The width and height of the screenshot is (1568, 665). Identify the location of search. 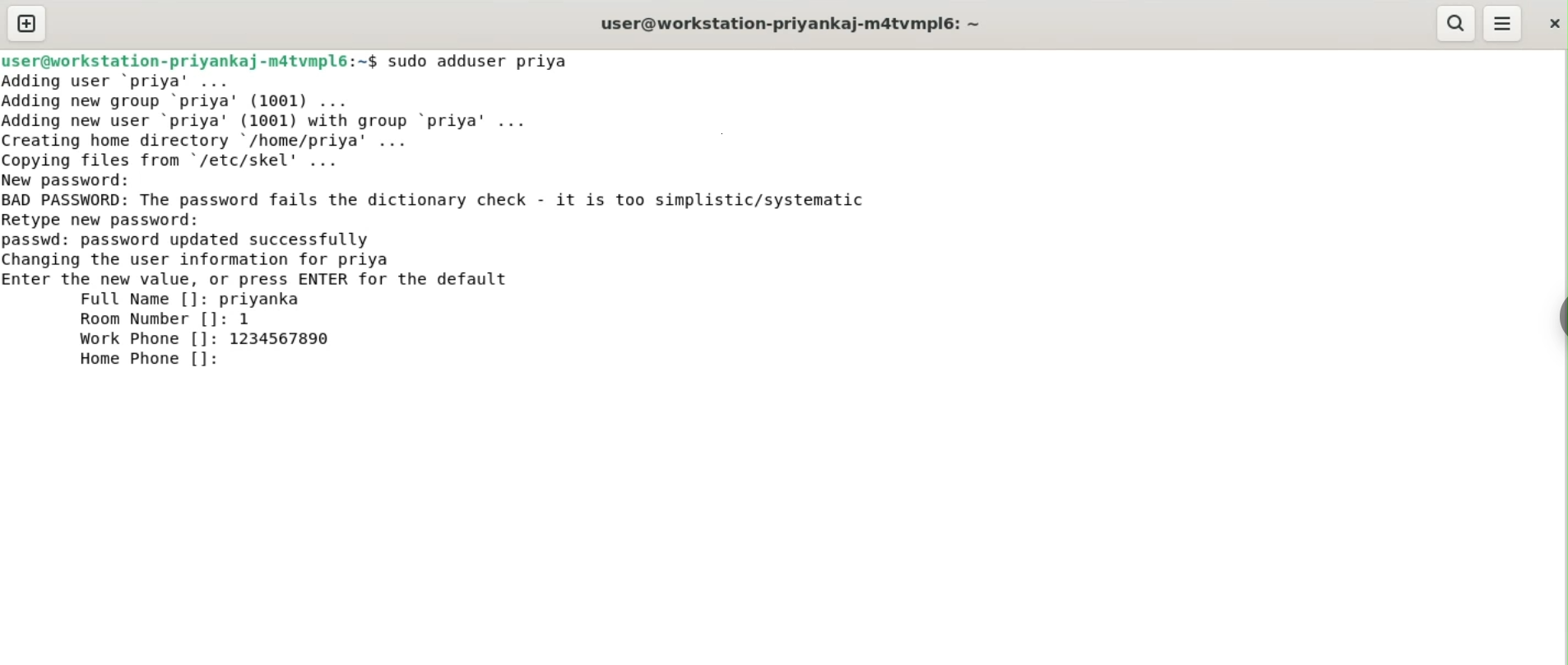
(1457, 24).